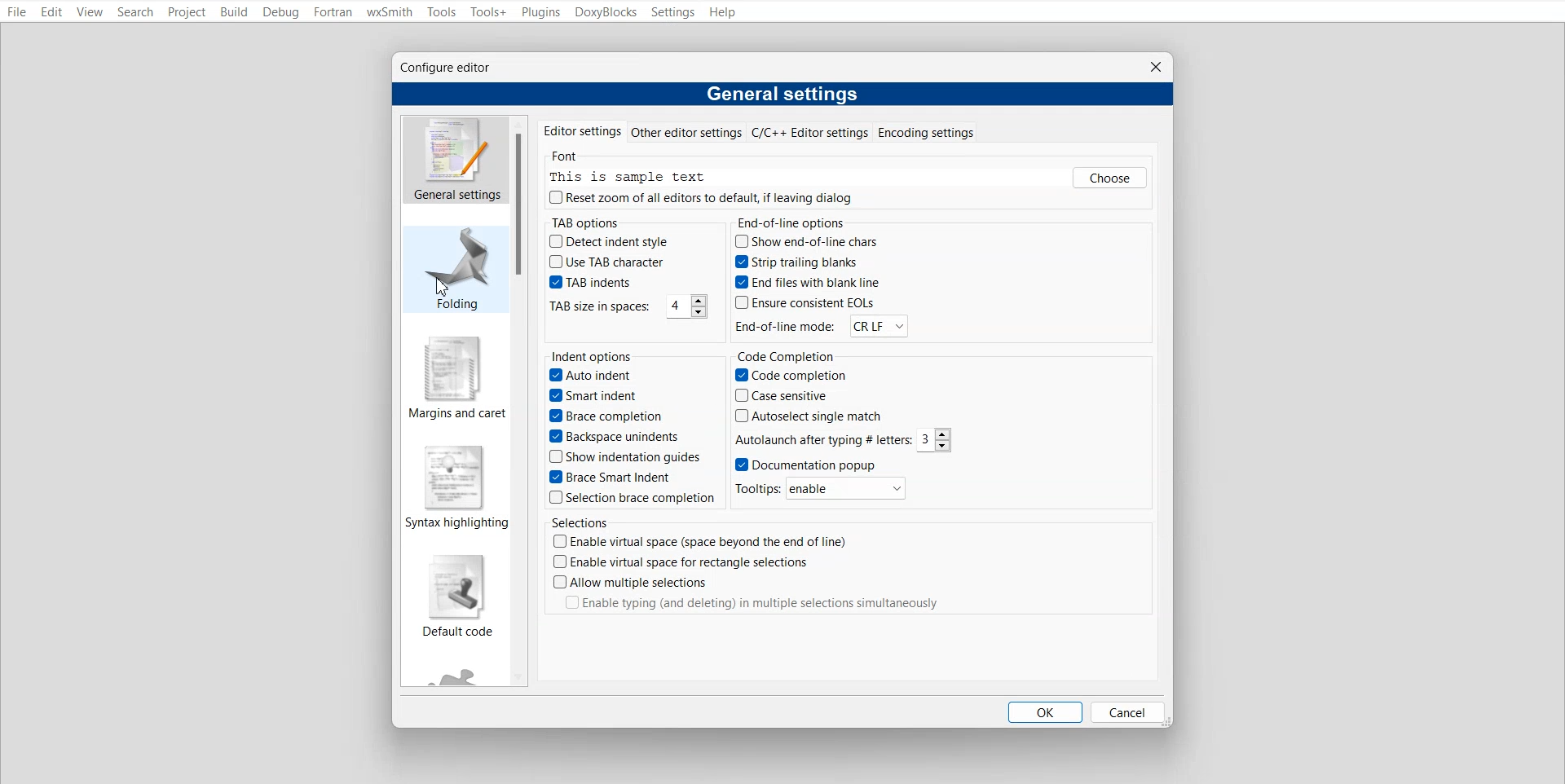 This screenshot has height=784, width=1565. I want to click on Help, so click(725, 12).